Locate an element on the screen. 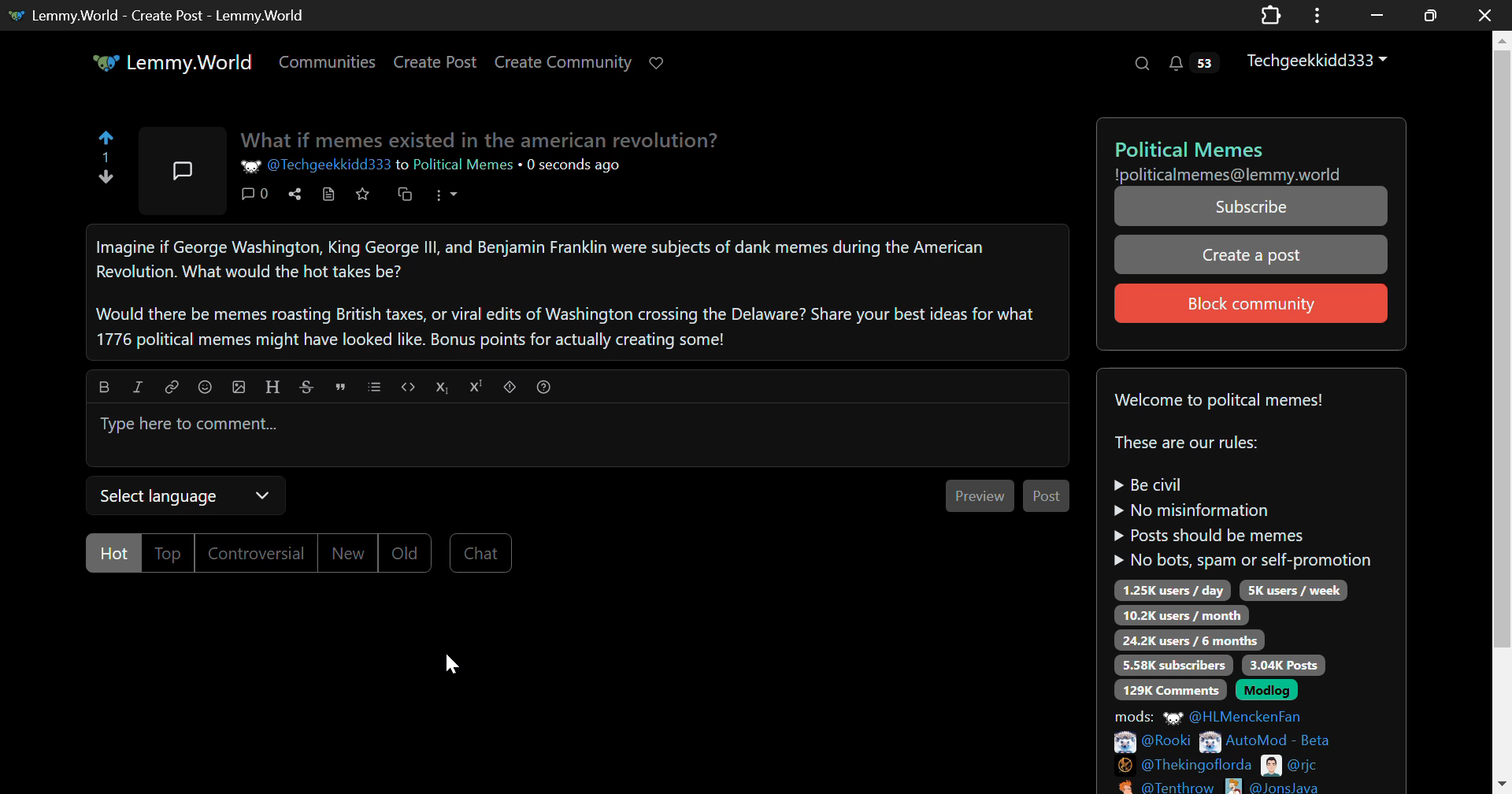 The height and width of the screenshot is (794, 1512). Formatting Help is located at coordinates (543, 387).